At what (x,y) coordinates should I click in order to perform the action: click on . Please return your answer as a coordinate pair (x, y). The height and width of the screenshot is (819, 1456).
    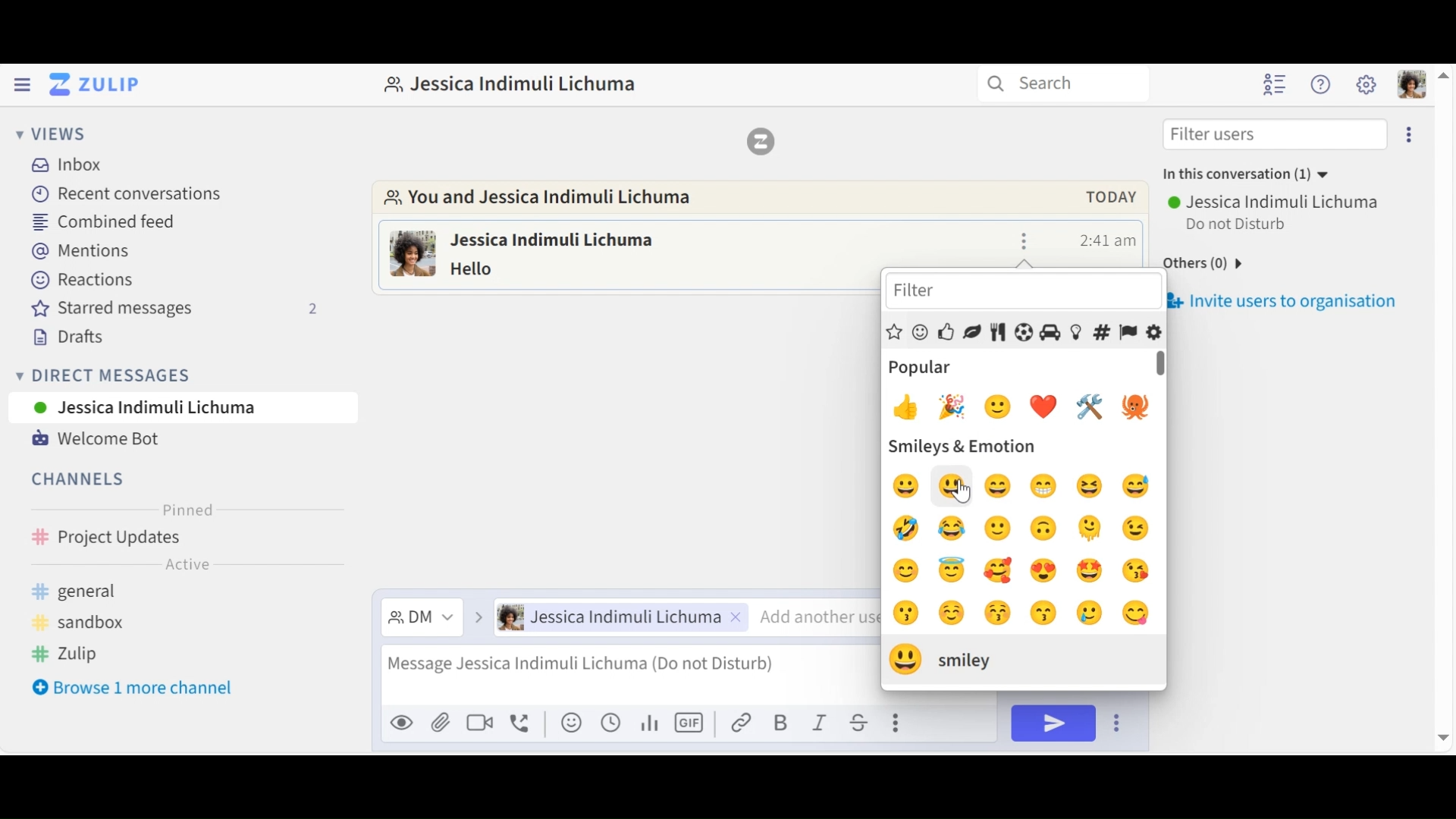
    Looking at the image, I should click on (103, 439).